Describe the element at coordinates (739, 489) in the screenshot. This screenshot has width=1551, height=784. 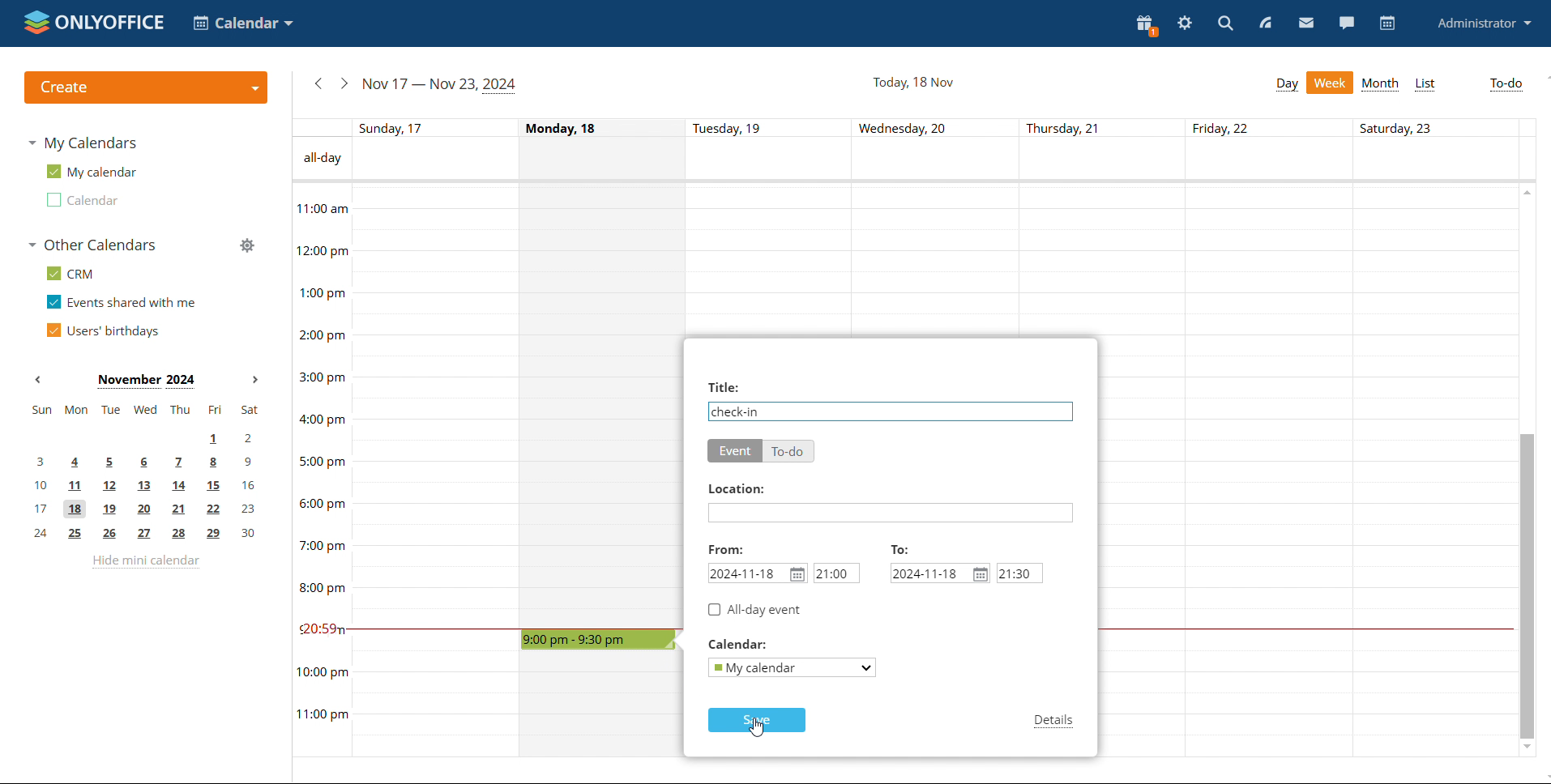
I see `location` at that location.